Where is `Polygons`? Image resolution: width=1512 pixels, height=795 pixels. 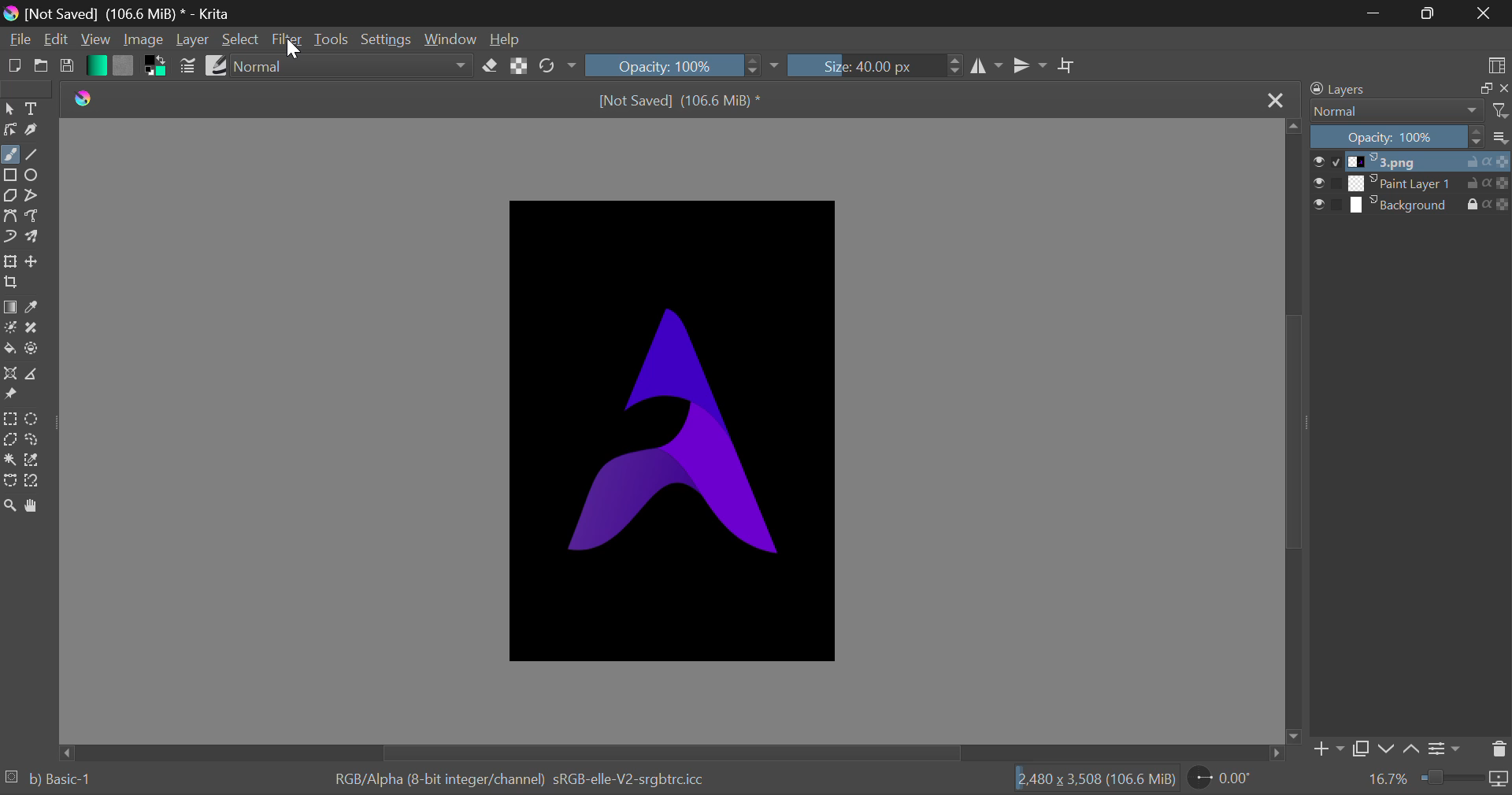 Polygons is located at coordinates (9, 197).